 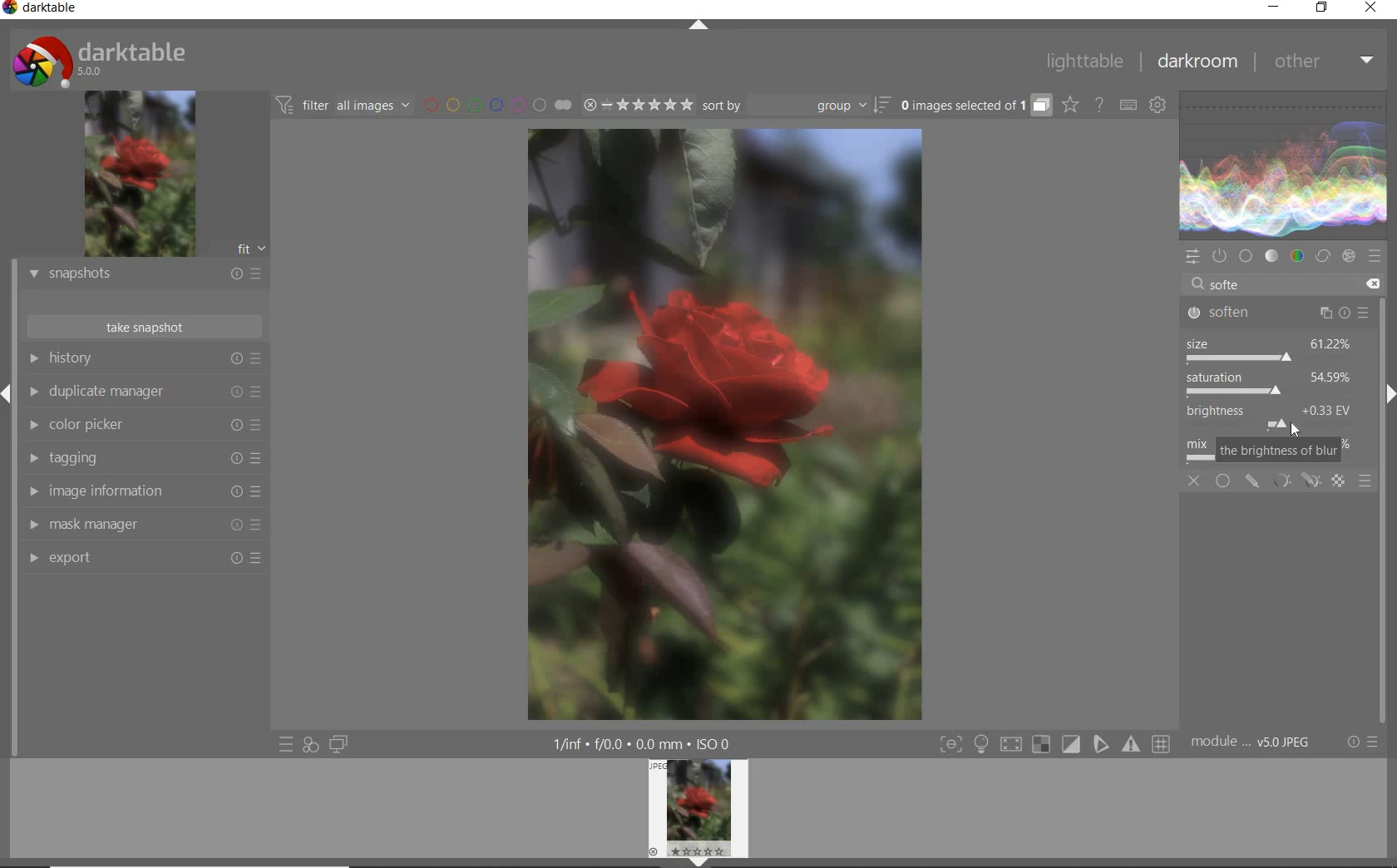 What do you see at coordinates (702, 27) in the screenshot?
I see `expand/collapse` at bounding box center [702, 27].